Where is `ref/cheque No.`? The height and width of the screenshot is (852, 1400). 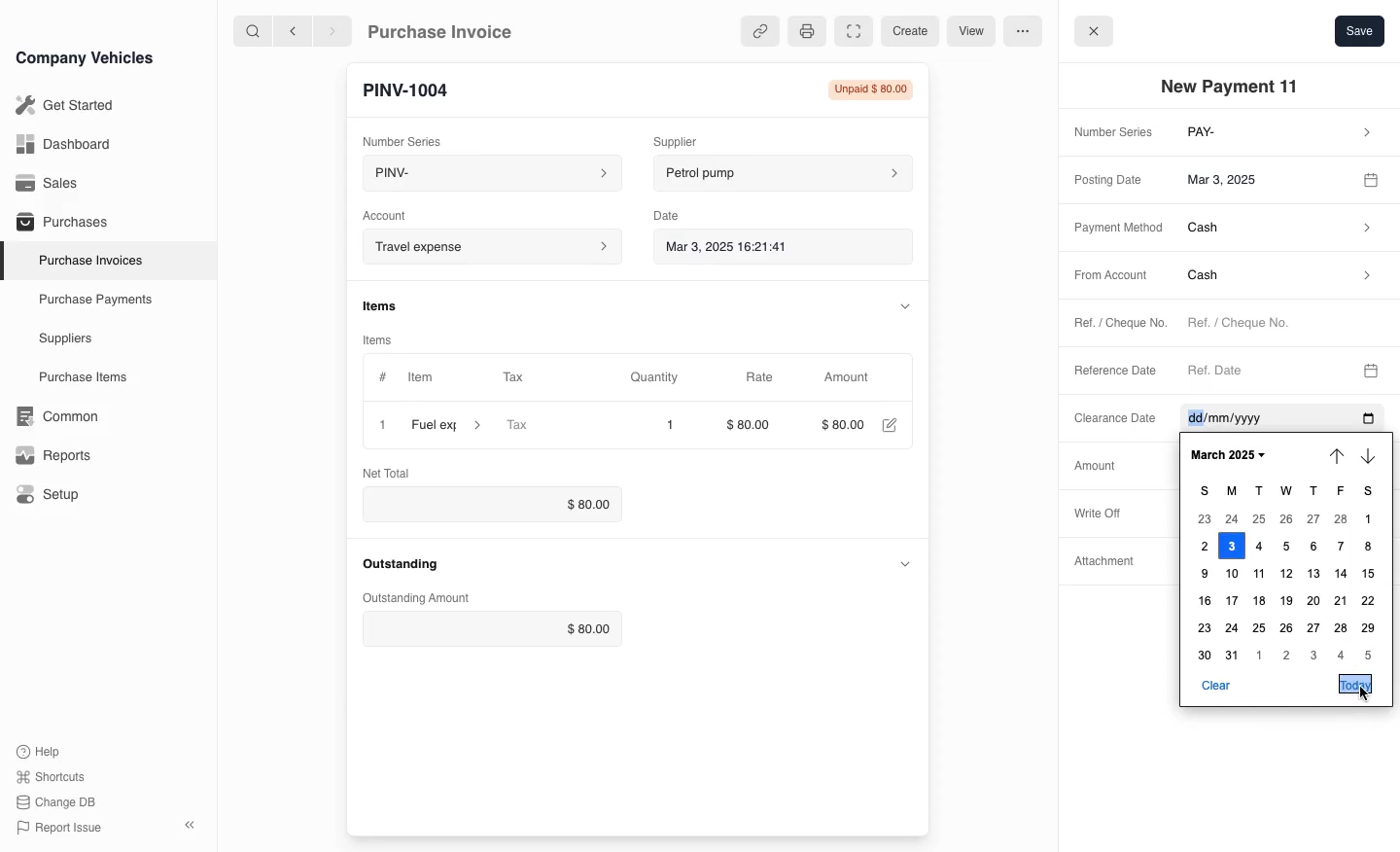
ref/cheque No. is located at coordinates (1277, 325).